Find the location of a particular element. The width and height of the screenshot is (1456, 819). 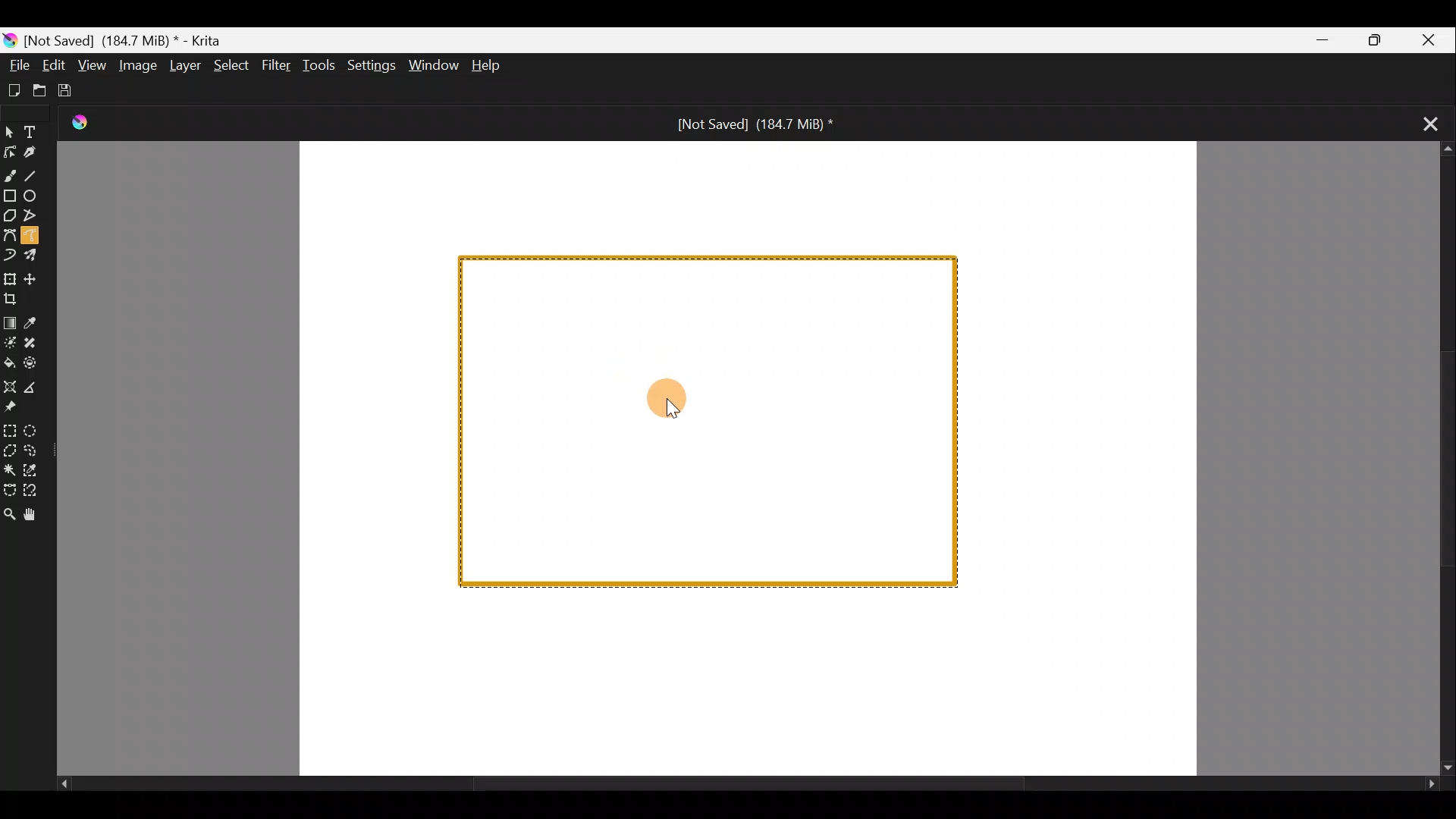

Ellipse tool is located at coordinates (37, 197).